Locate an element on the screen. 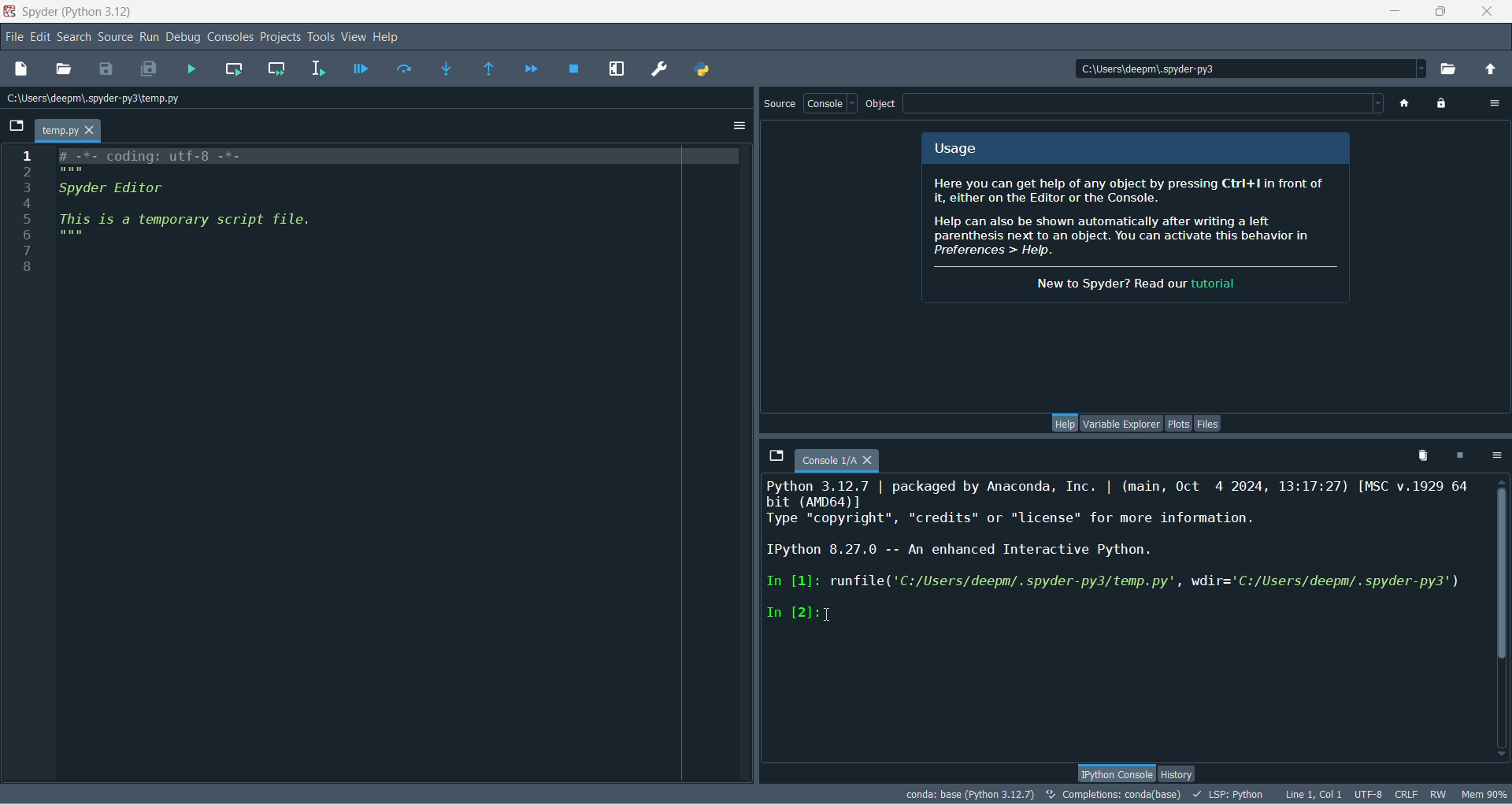 The width and height of the screenshot is (1512, 805). browse tabs is located at coordinates (777, 458).